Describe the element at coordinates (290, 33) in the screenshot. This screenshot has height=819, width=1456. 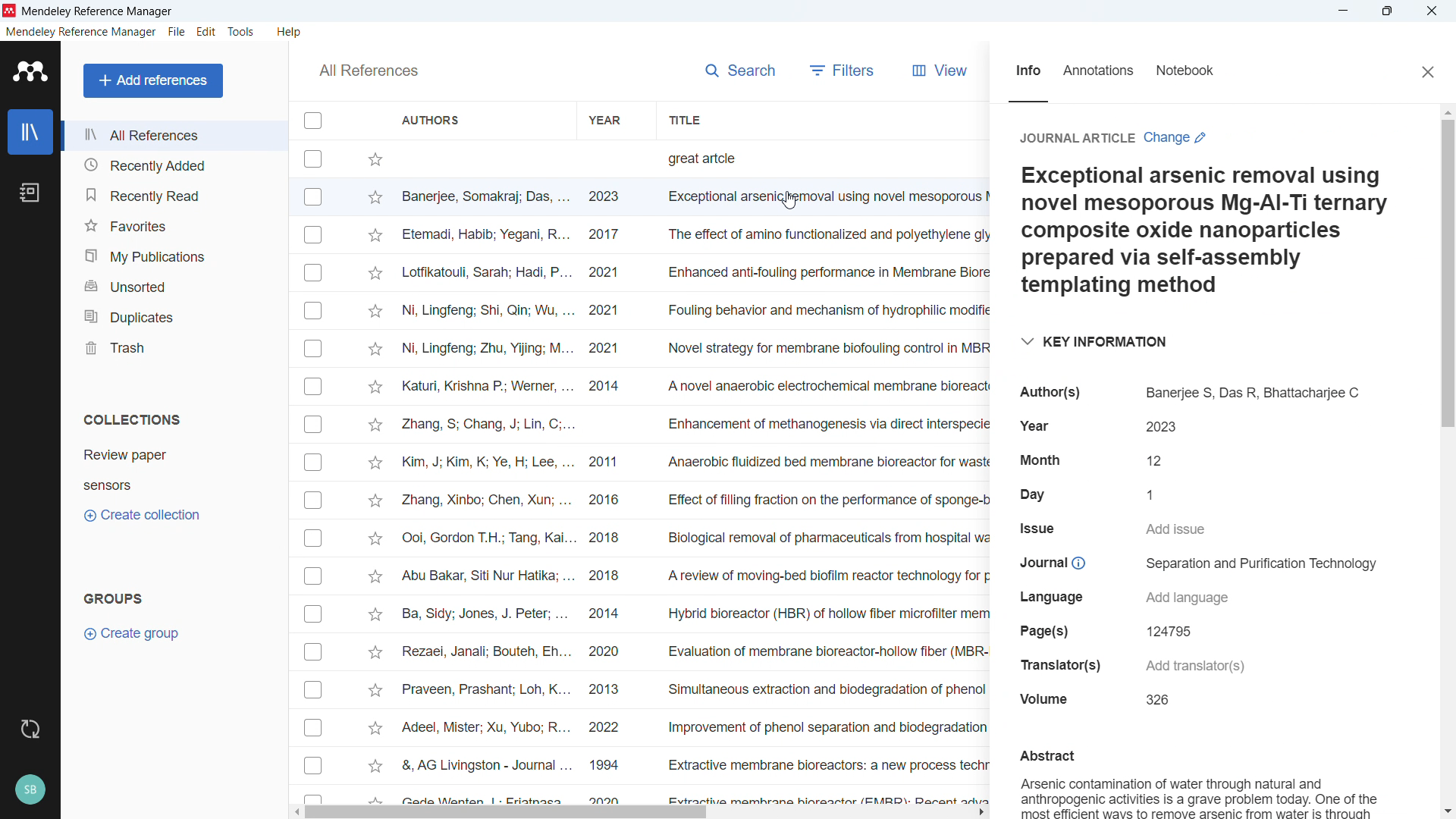
I see `help` at that location.